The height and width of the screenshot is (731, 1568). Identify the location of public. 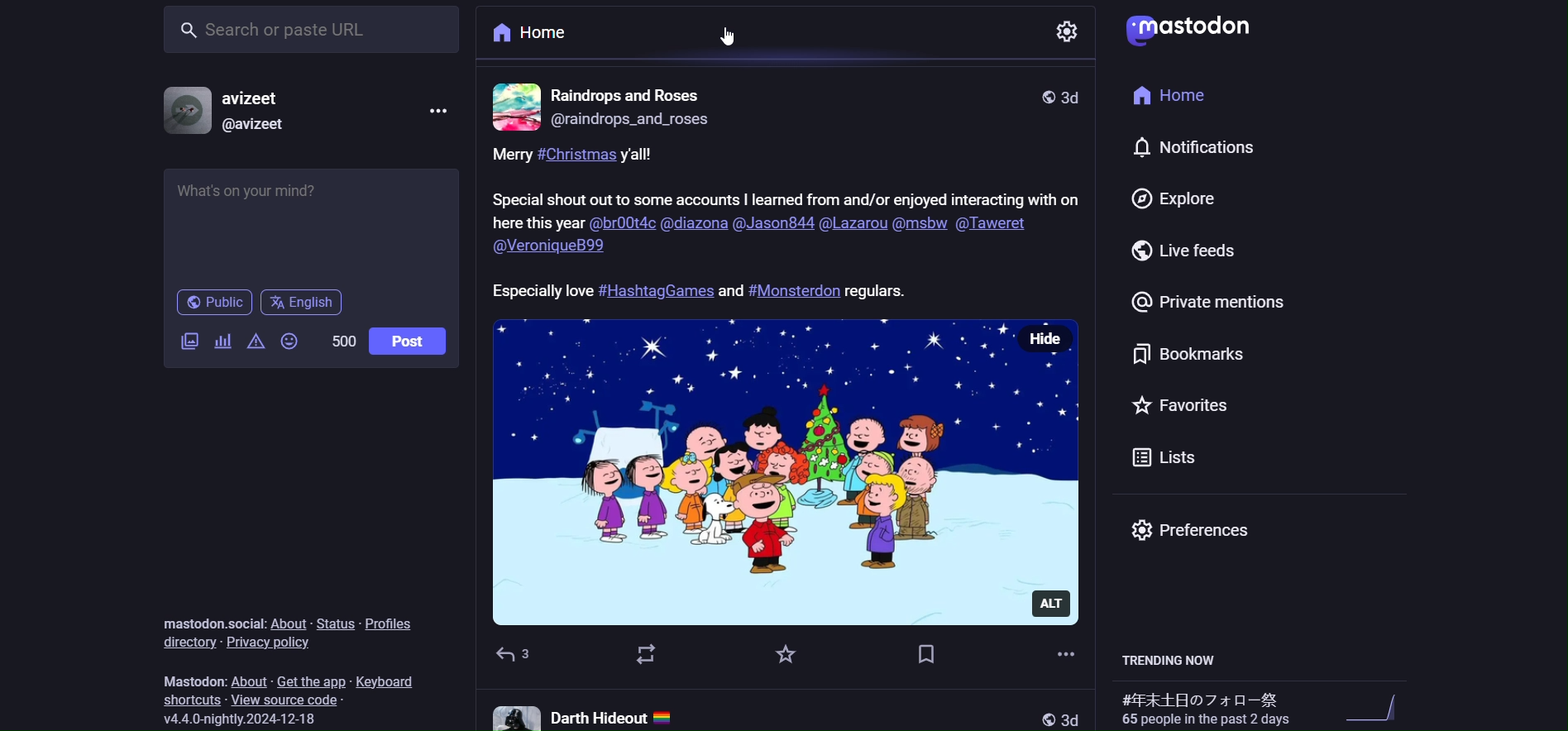
(212, 302).